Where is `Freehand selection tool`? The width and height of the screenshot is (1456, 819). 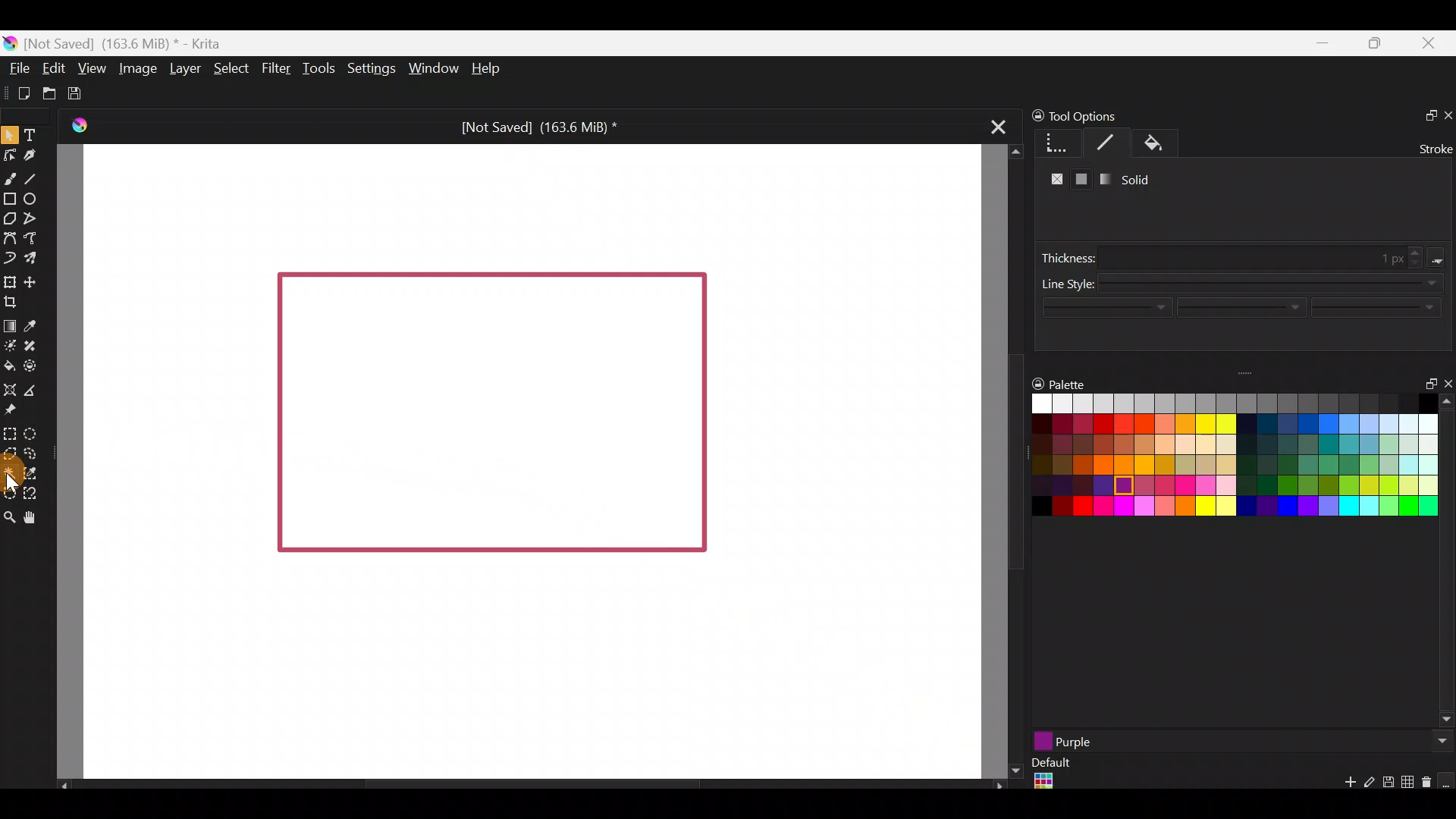
Freehand selection tool is located at coordinates (32, 452).